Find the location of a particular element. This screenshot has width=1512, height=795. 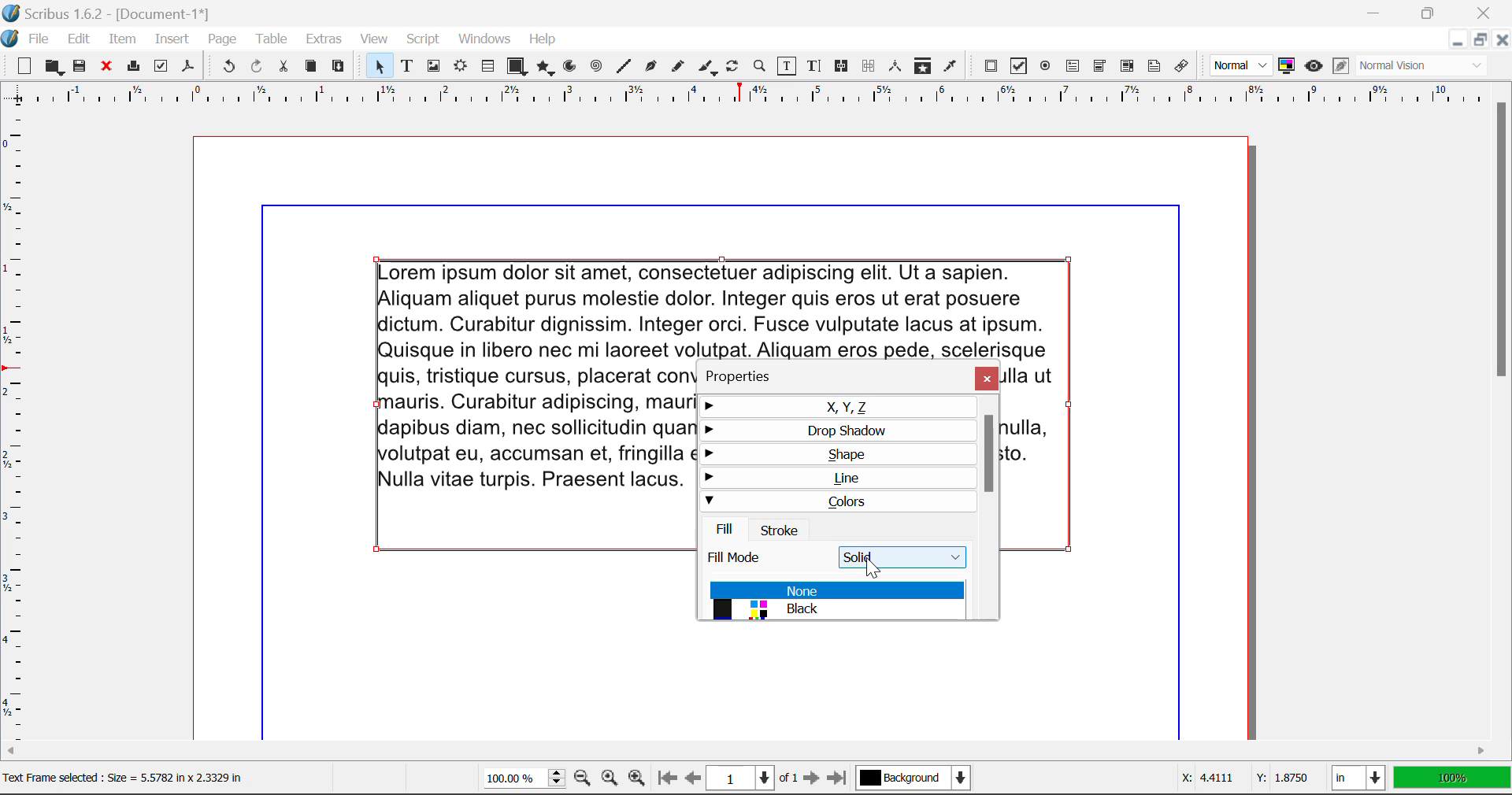

Eyedropper is located at coordinates (950, 68).